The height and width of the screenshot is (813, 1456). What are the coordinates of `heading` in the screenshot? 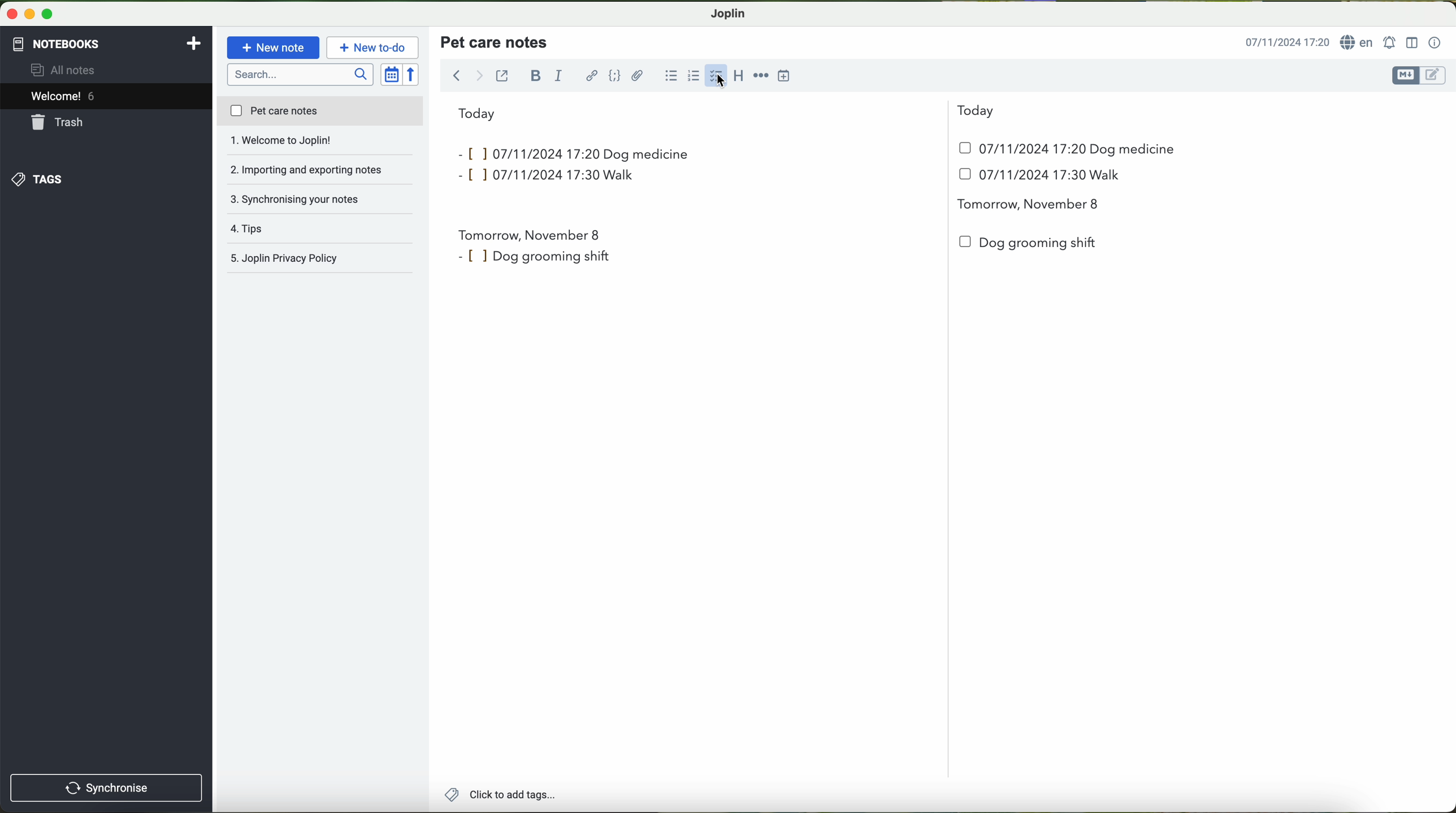 It's located at (741, 76).